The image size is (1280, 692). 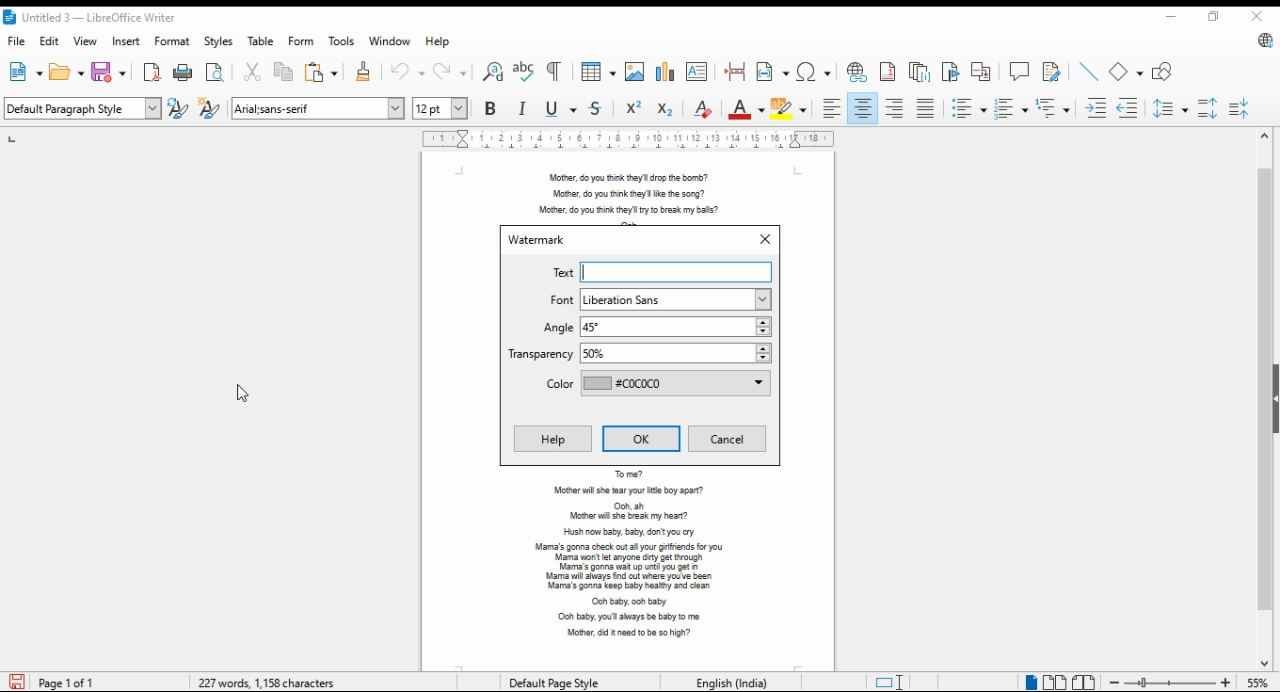 I want to click on highlight color, so click(x=791, y=108).